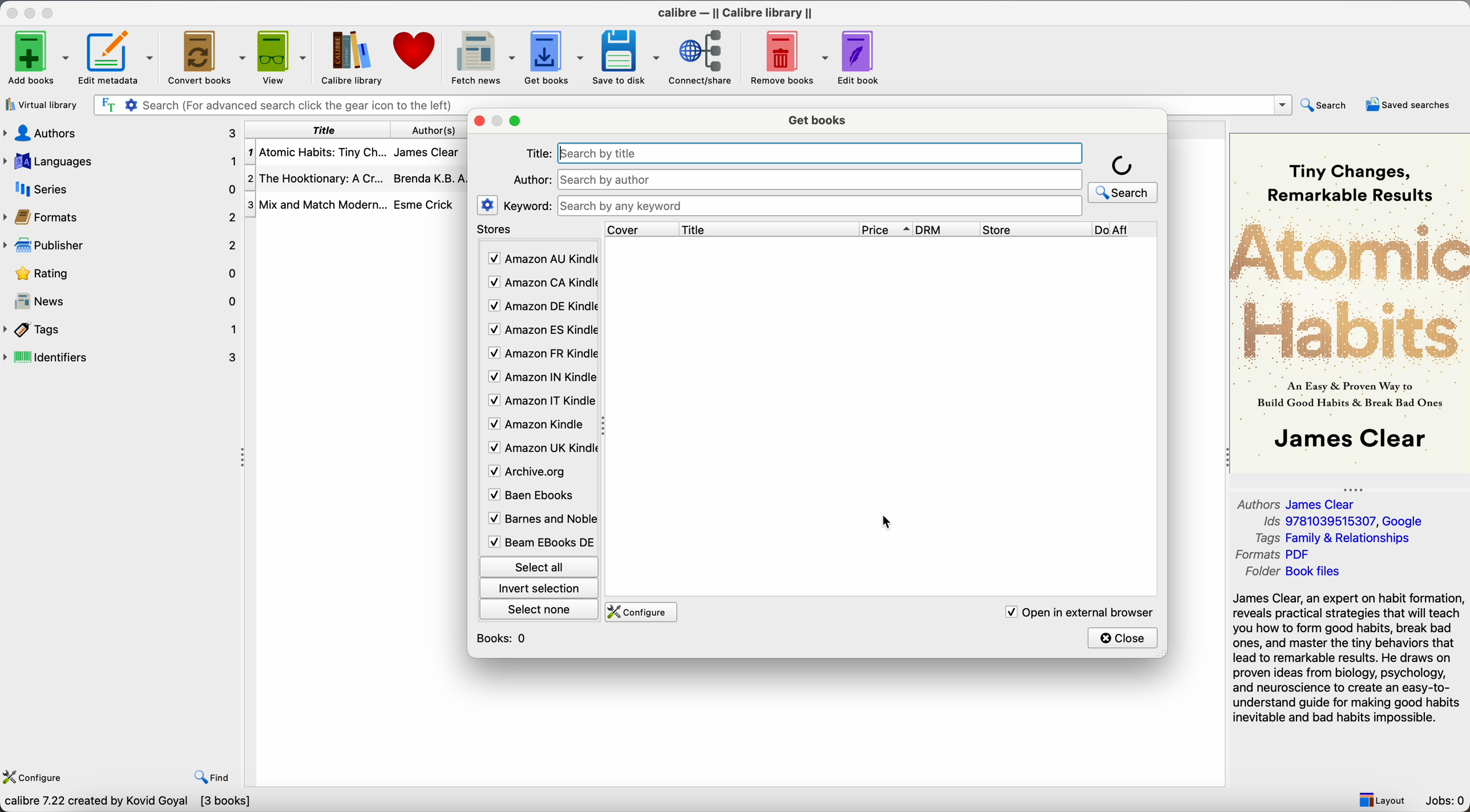 The image size is (1470, 812). What do you see at coordinates (41, 106) in the screenshot?
I see `virtual library` at bounding box center [41, 106].